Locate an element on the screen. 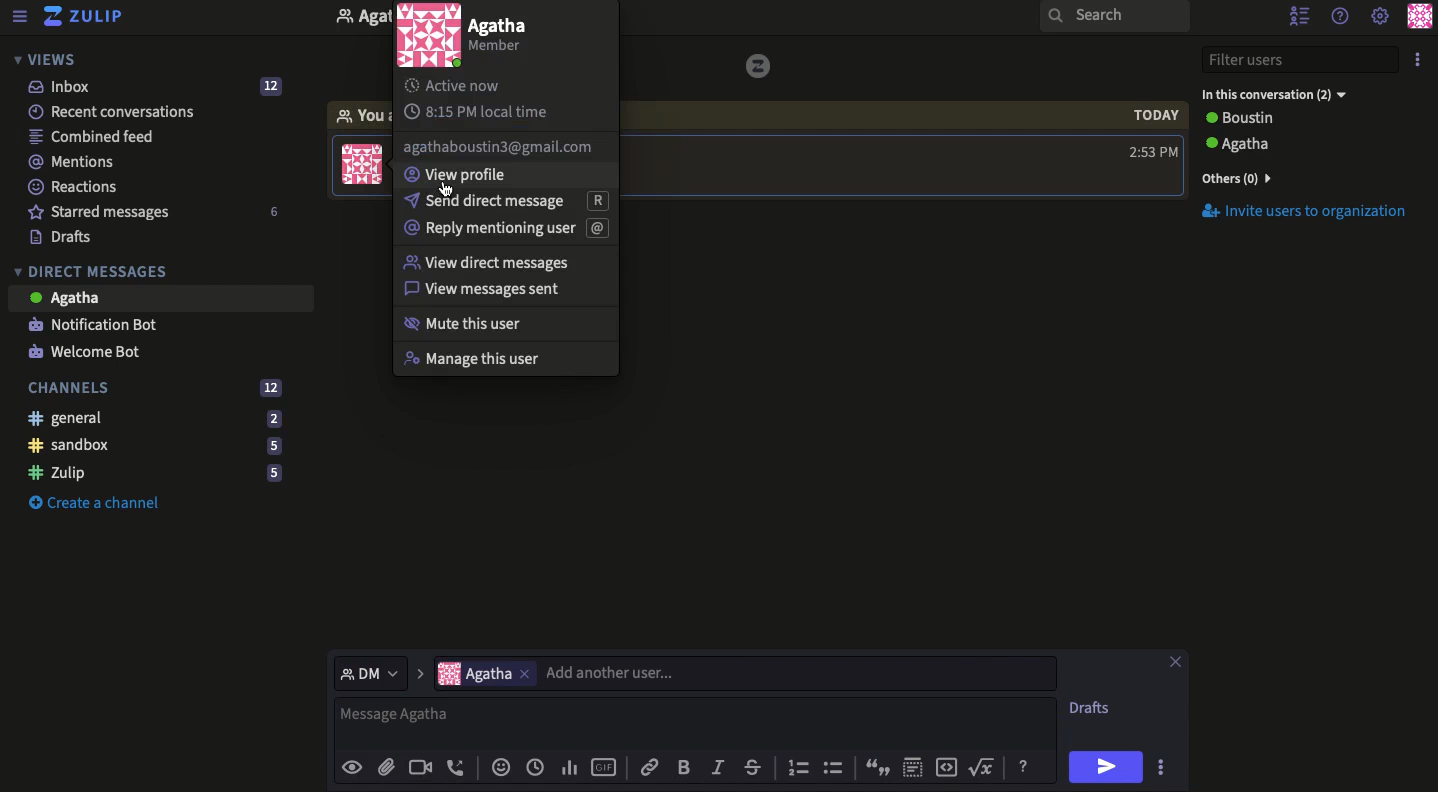 The width and height of the screenshot is (1438, 792). Link is located at coordinates (648, 767).